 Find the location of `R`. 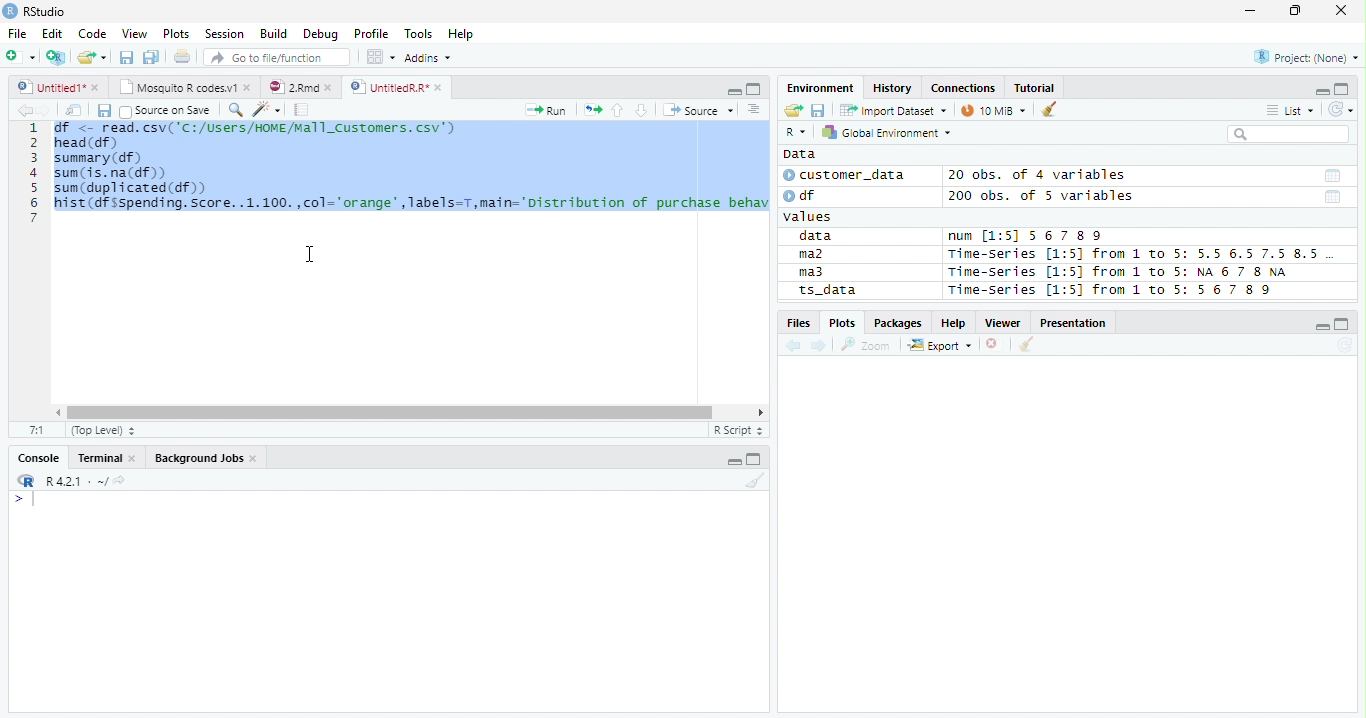

R is located at coordinates (24, 481).